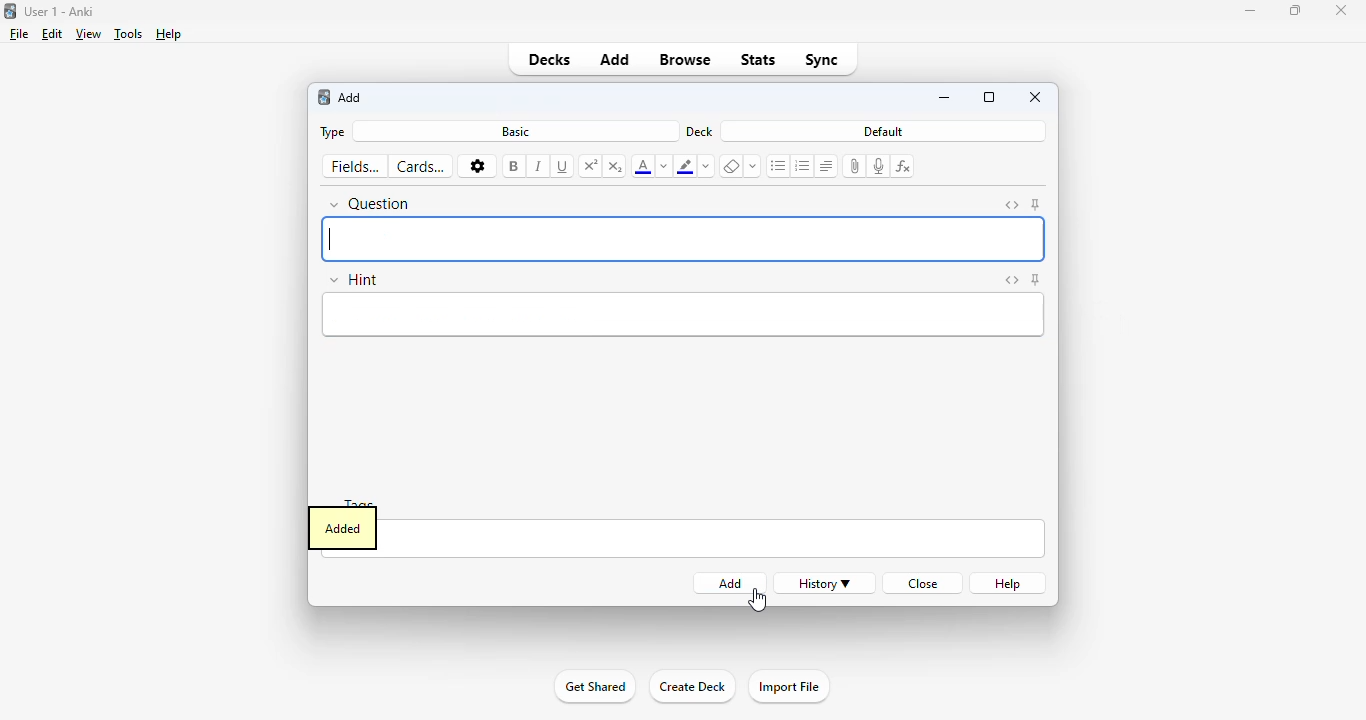 The image size is (1366, 720). I want to click on toggle HTML editor, so click(1013, 206).